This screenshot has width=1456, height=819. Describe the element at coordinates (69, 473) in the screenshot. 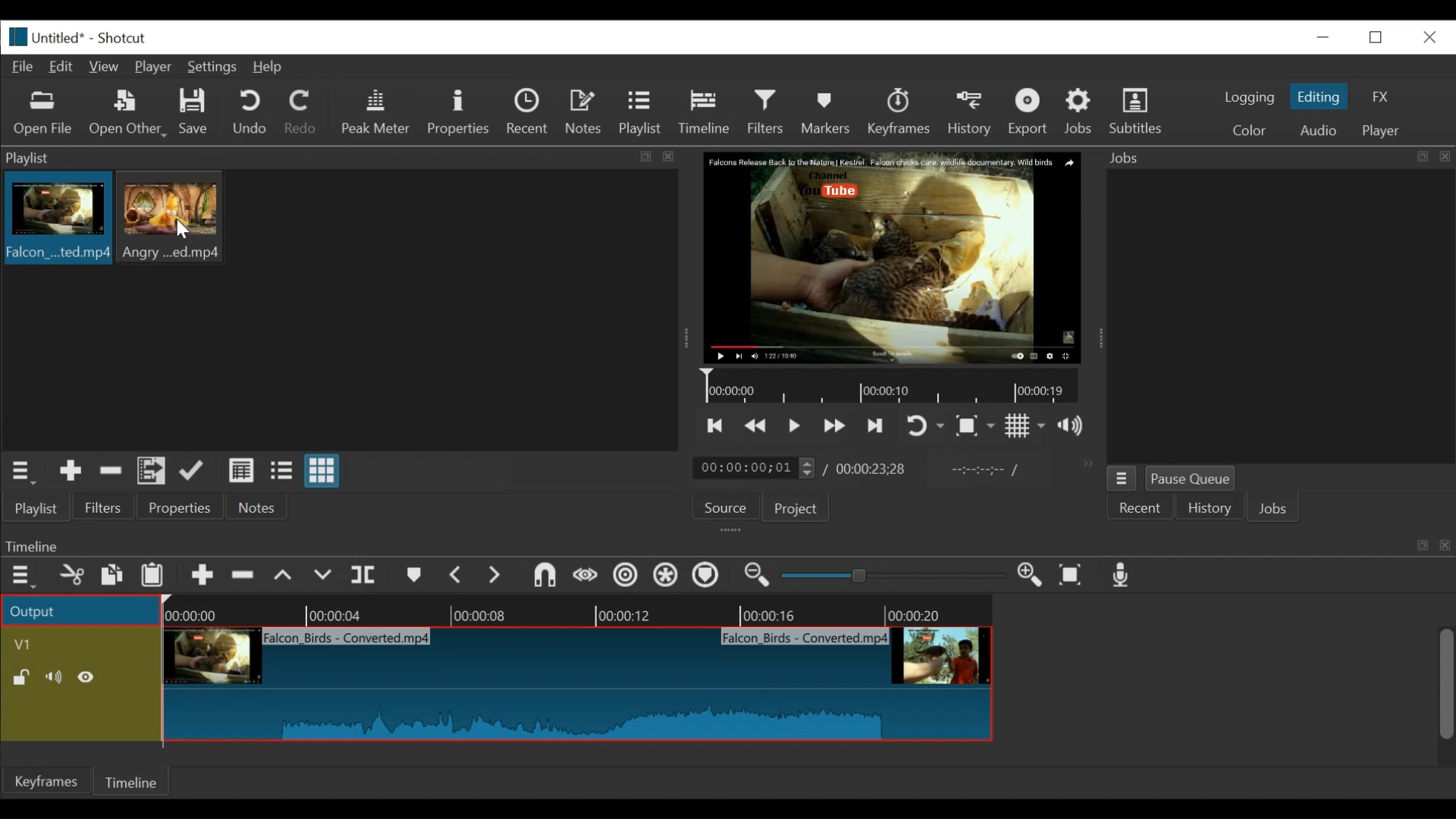

I see `Add the source to the playlist` at that location.